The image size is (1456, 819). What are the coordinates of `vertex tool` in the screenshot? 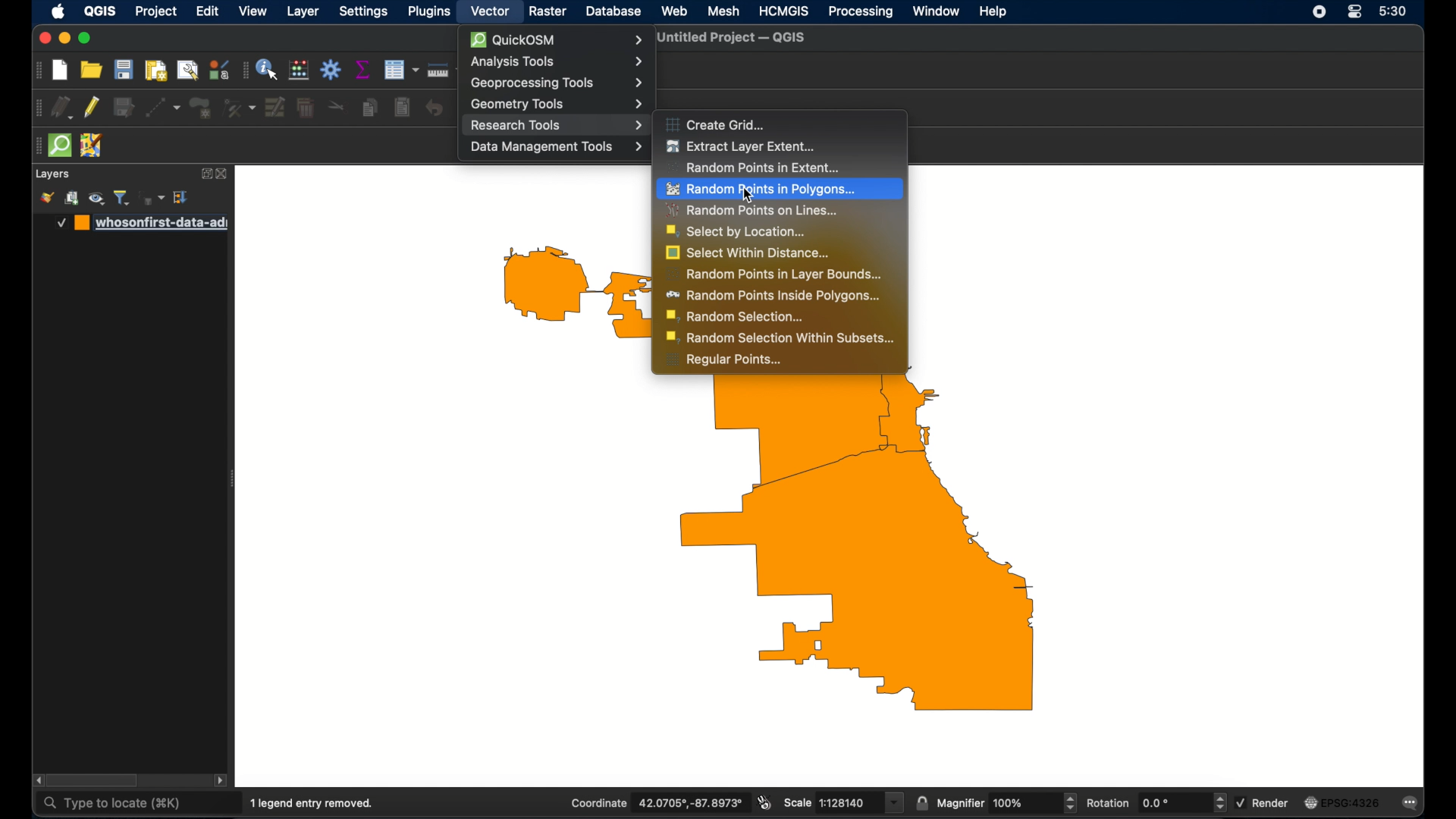 It's located at (239, 106).